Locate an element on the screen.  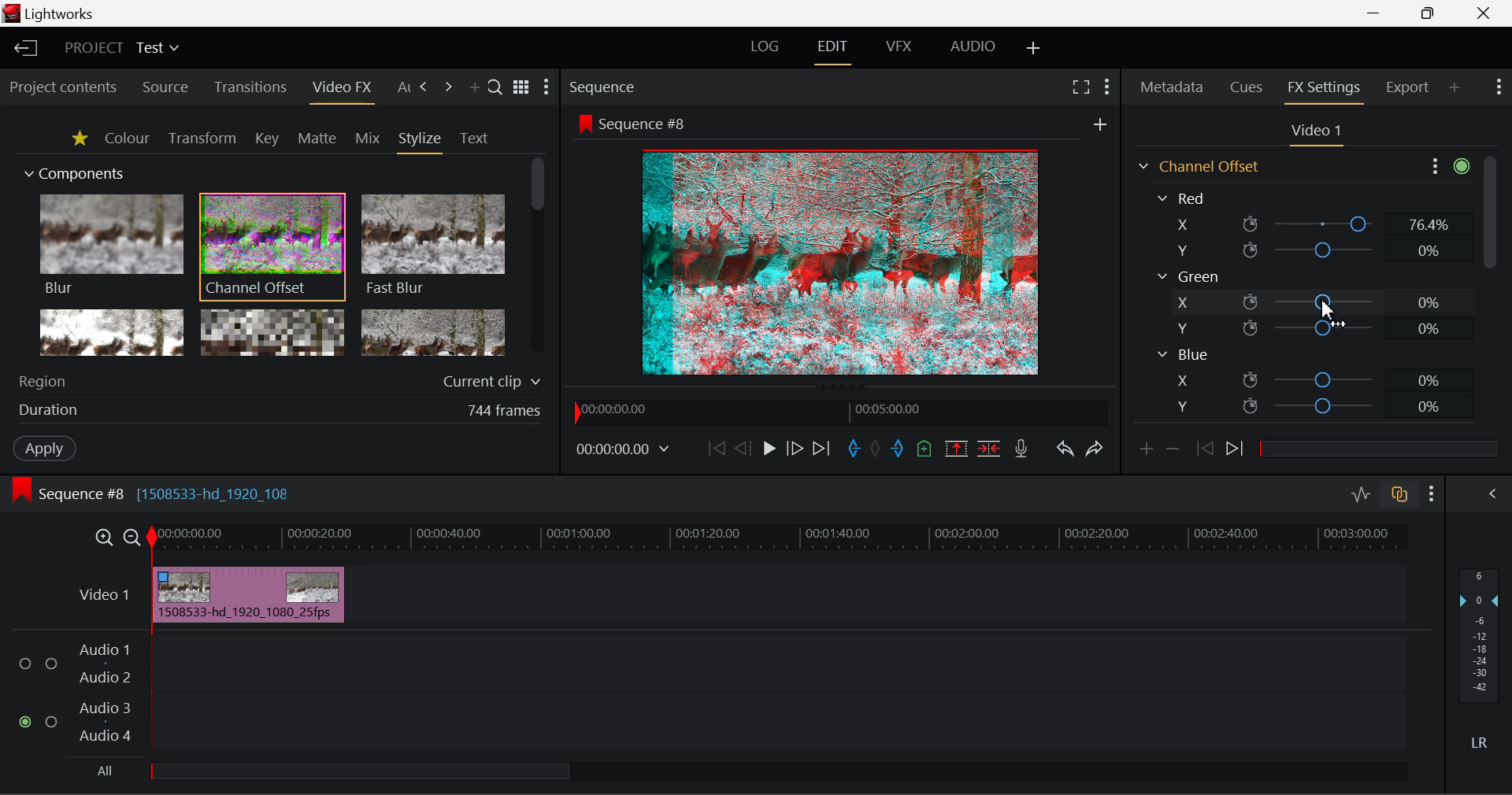
Toggle auto track sync is located at coordinates (1398, 494).